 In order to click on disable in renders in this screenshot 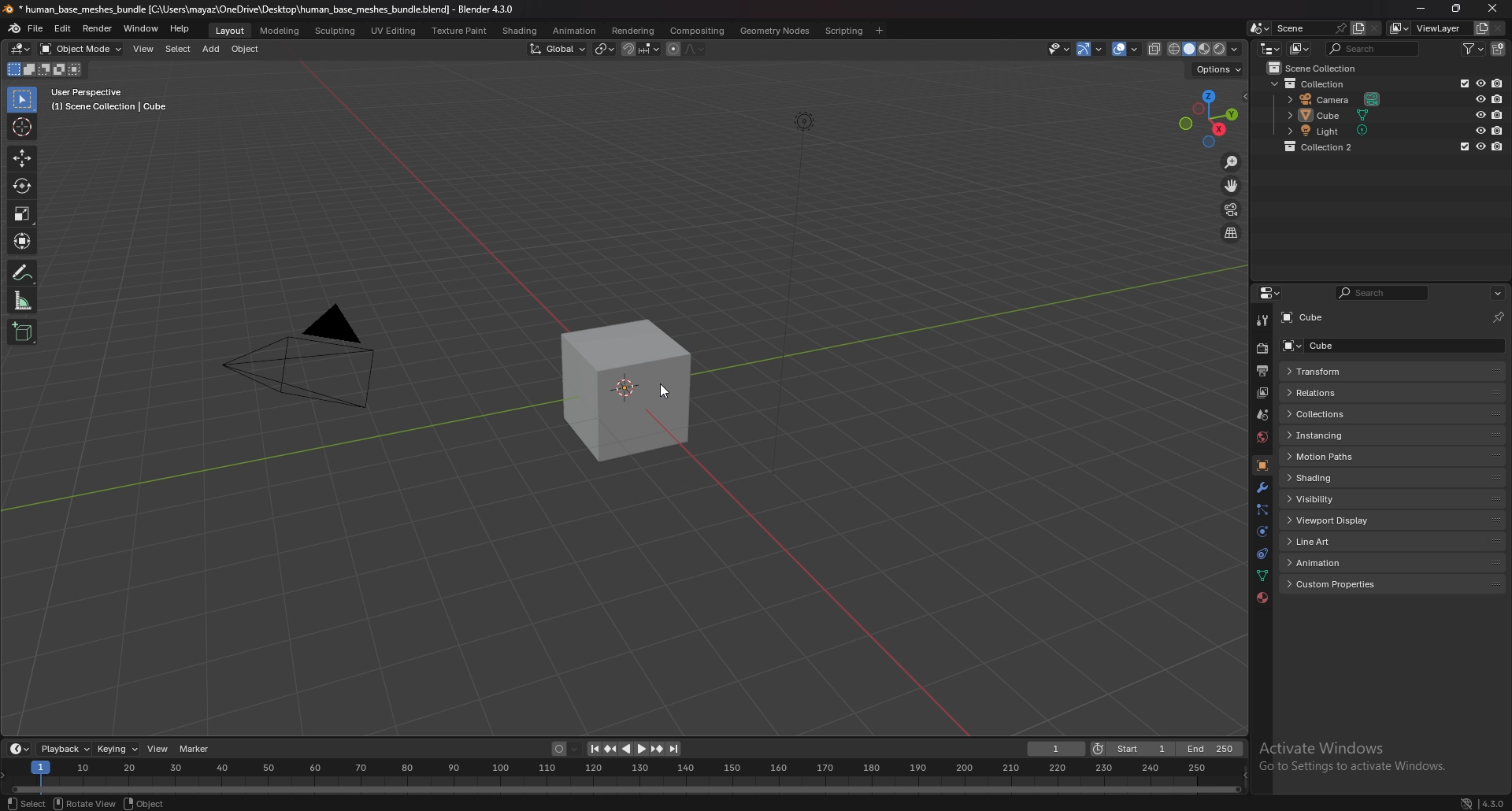, I will do `click(1498, 82)`.